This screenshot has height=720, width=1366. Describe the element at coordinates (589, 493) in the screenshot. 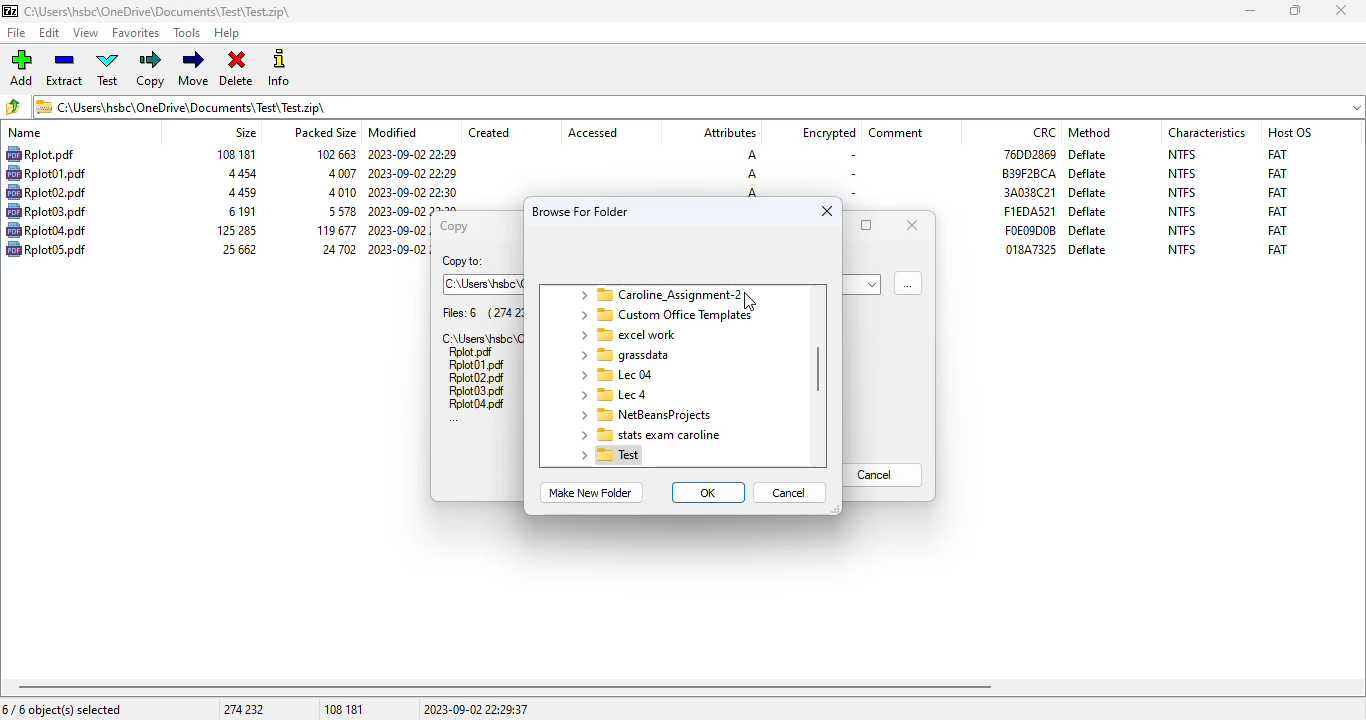

I see `make new folder` at that location.